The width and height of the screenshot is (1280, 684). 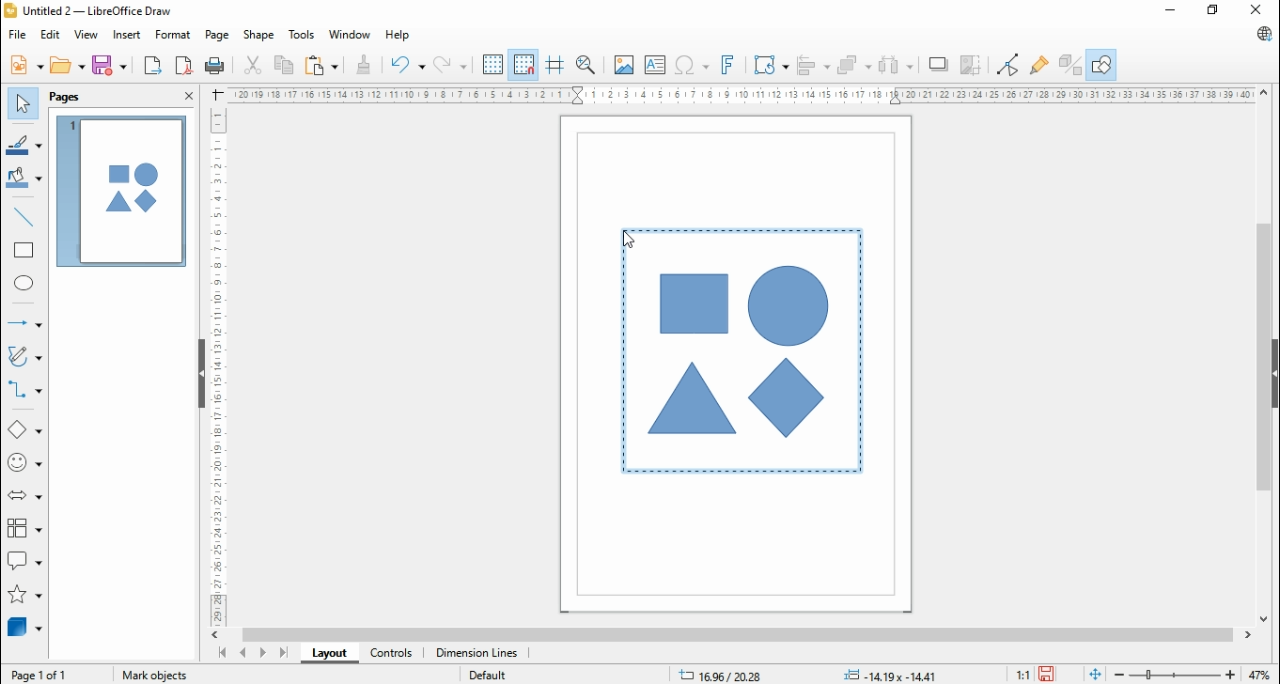 What do you see at coordinates (187, 94) in the screenshot?
I see `close pane` at bounding box center [187, 94].